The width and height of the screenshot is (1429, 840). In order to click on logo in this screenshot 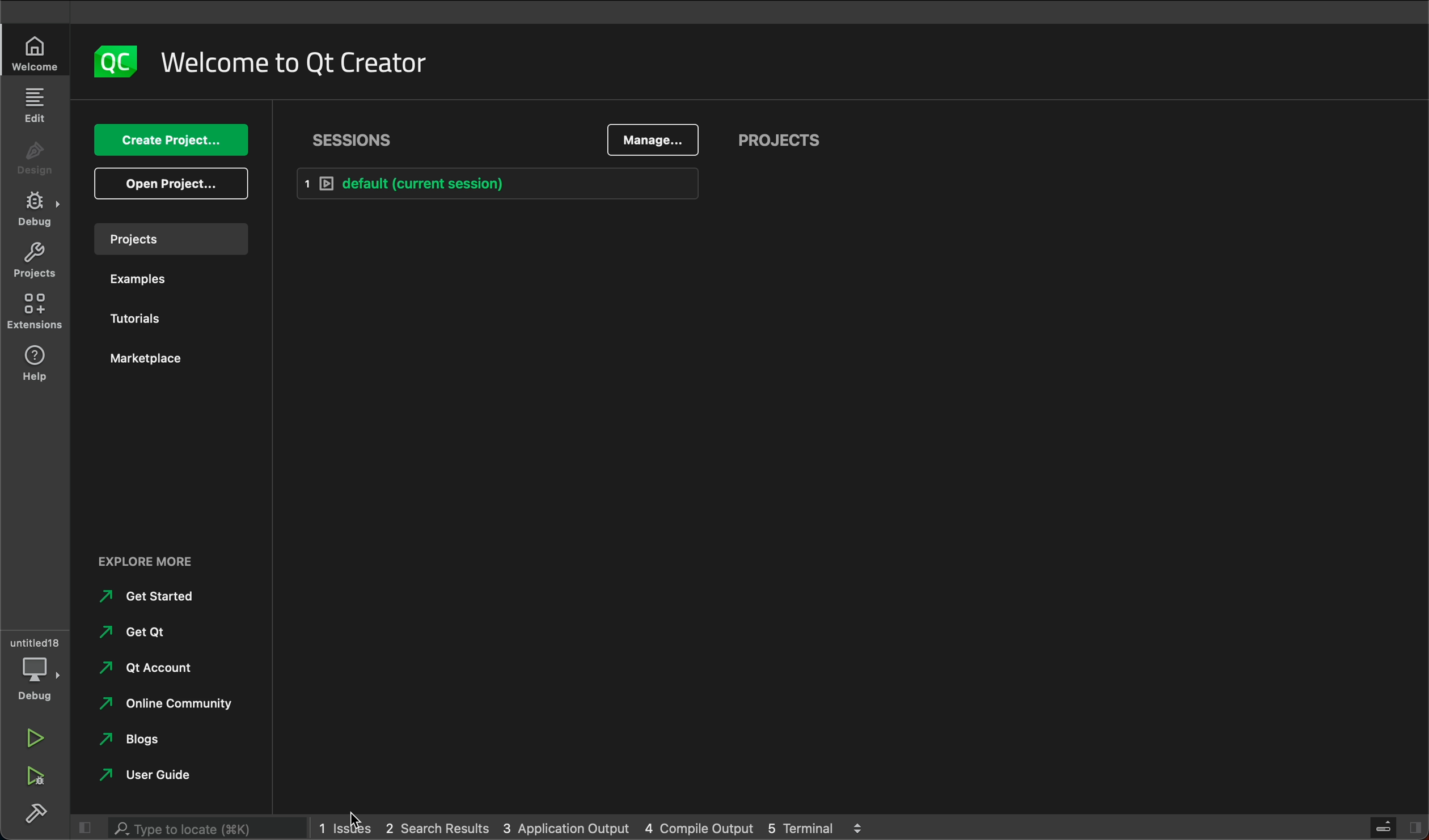, I will do `click(119, 66)`.